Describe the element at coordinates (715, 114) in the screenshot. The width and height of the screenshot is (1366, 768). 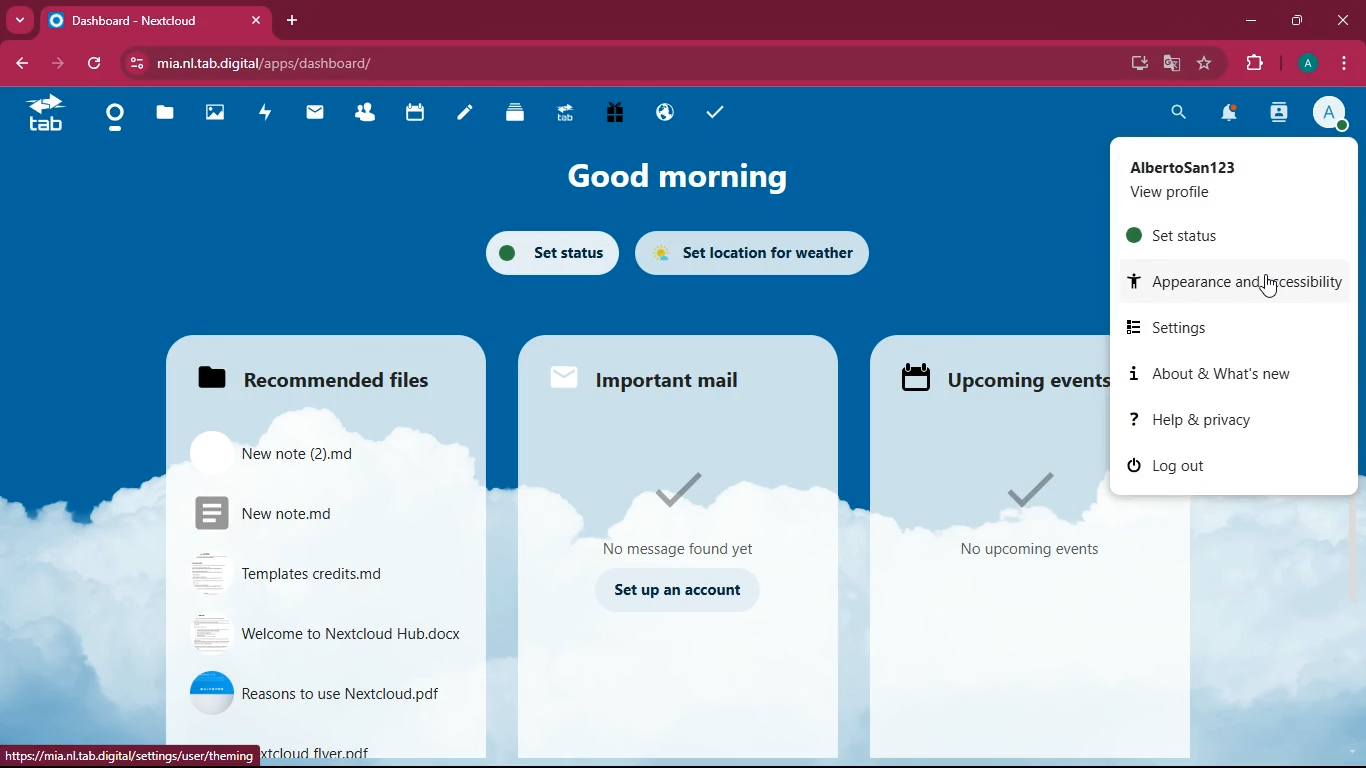
I see `tasks` at that location.